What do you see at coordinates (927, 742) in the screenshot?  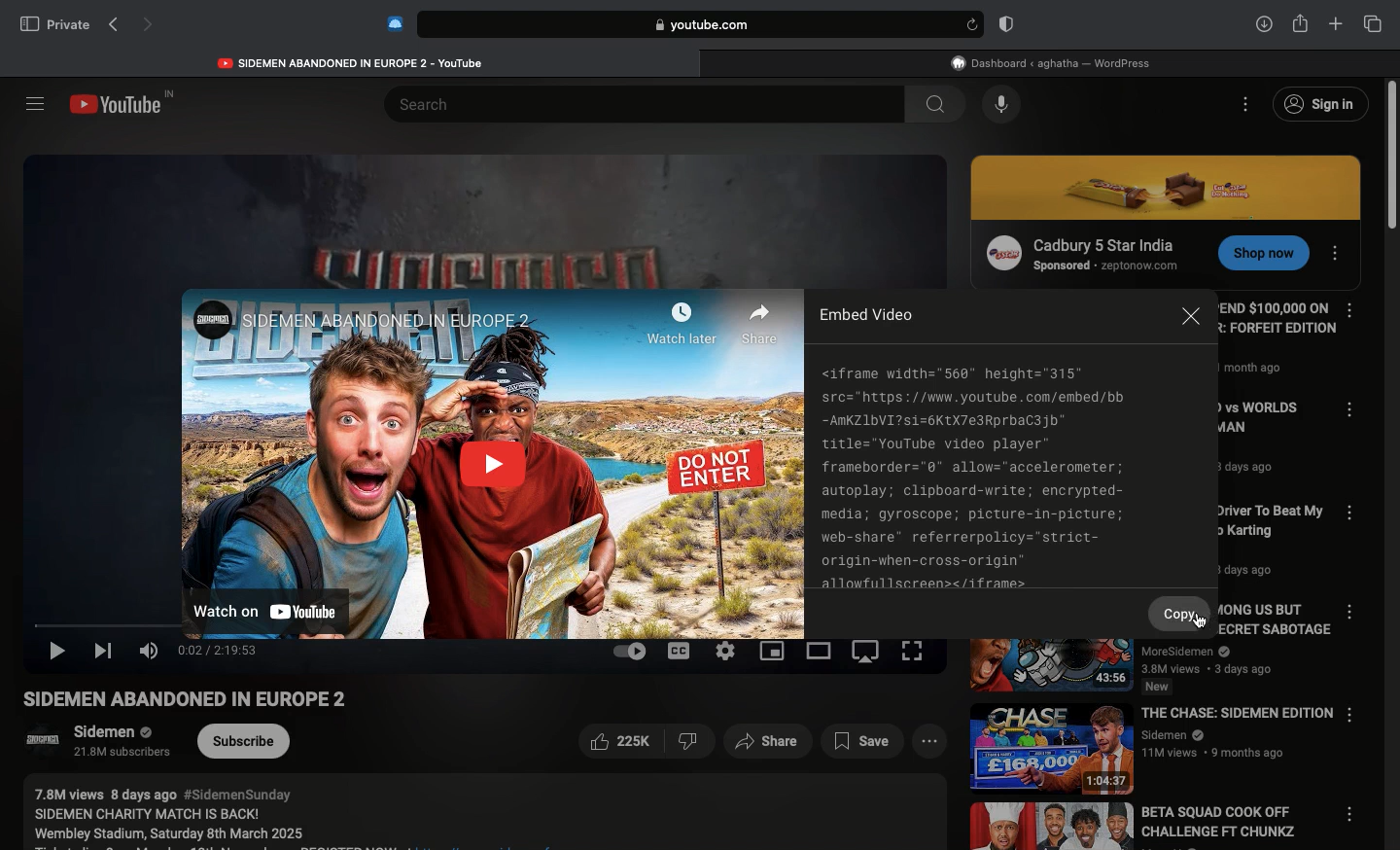 I see `View more` at bounding box center [927, 742].